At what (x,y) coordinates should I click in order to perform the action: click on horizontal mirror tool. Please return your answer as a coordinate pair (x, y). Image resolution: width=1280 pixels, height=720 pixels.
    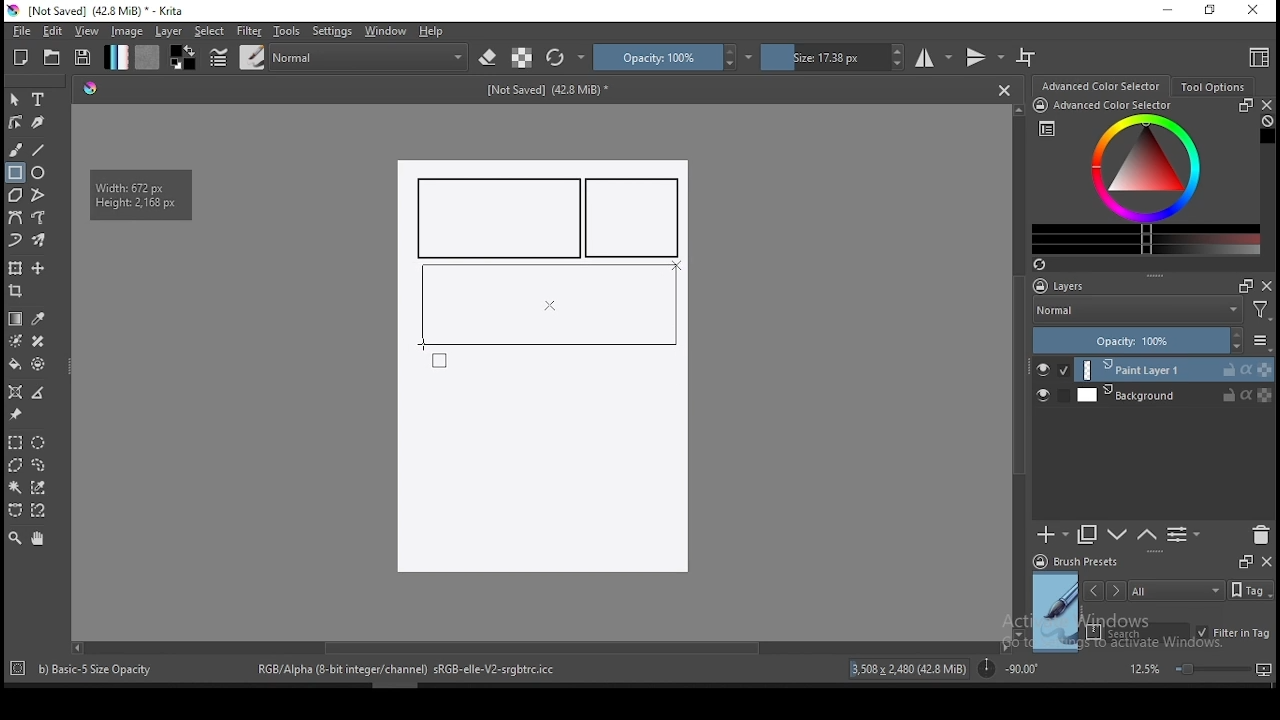
    Looking at the image, I should click on (934, 57).